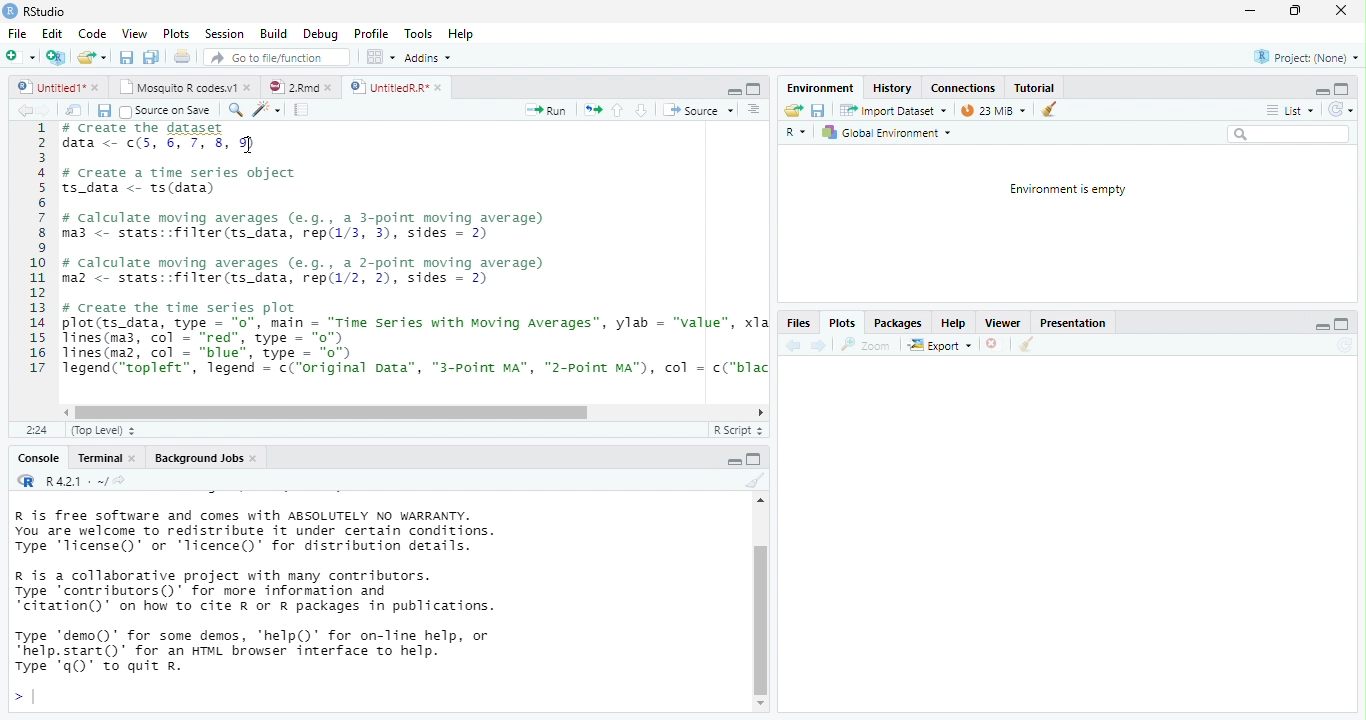 The width and height of the screenshot is (1366, 720). I want to click on File, so click(16, 34).